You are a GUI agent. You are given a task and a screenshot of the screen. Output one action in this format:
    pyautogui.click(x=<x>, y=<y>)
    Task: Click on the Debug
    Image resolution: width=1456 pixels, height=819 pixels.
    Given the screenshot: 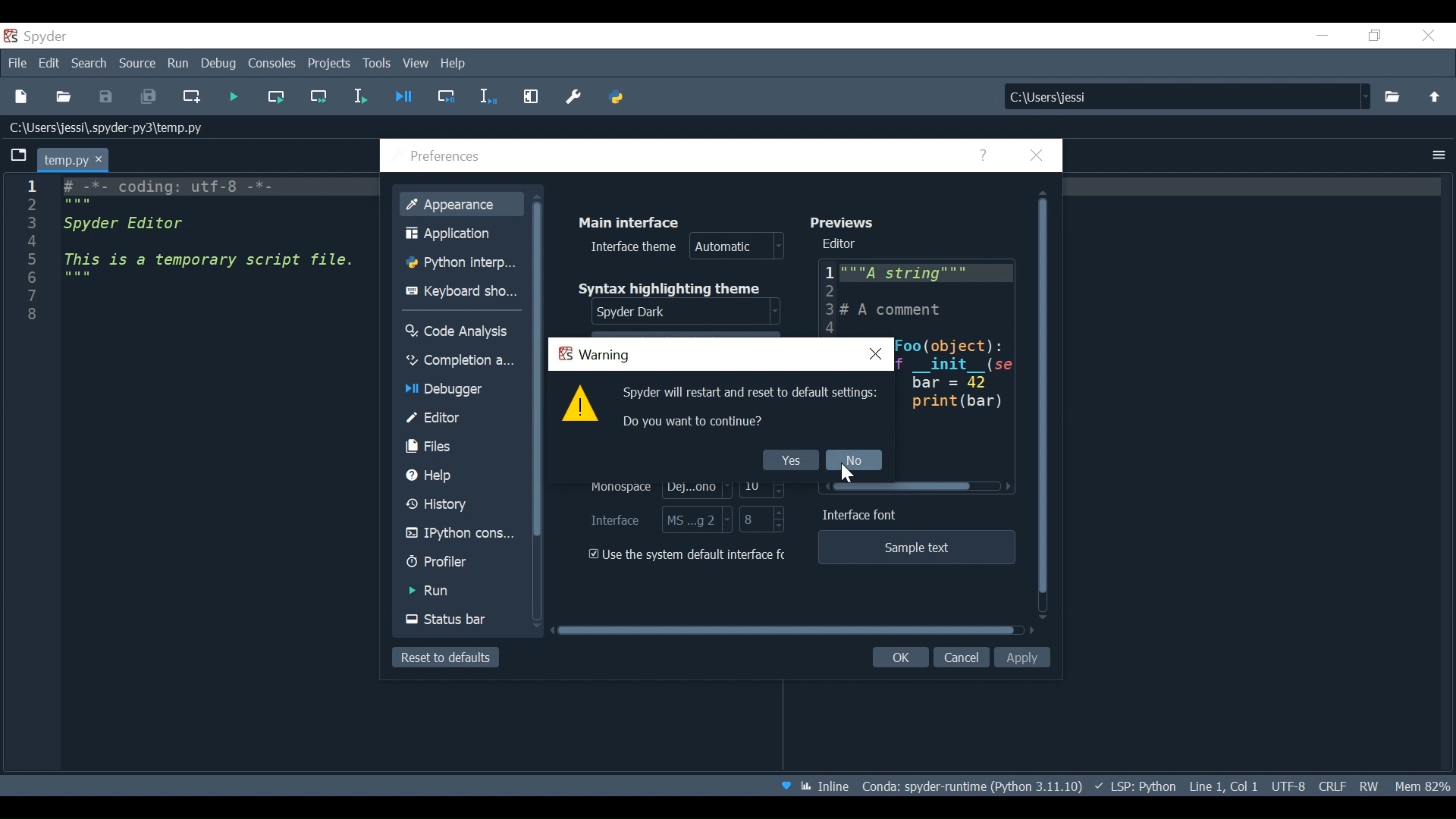 What is the action you would take?
    pyautogui.click(x=220, y=64)
    